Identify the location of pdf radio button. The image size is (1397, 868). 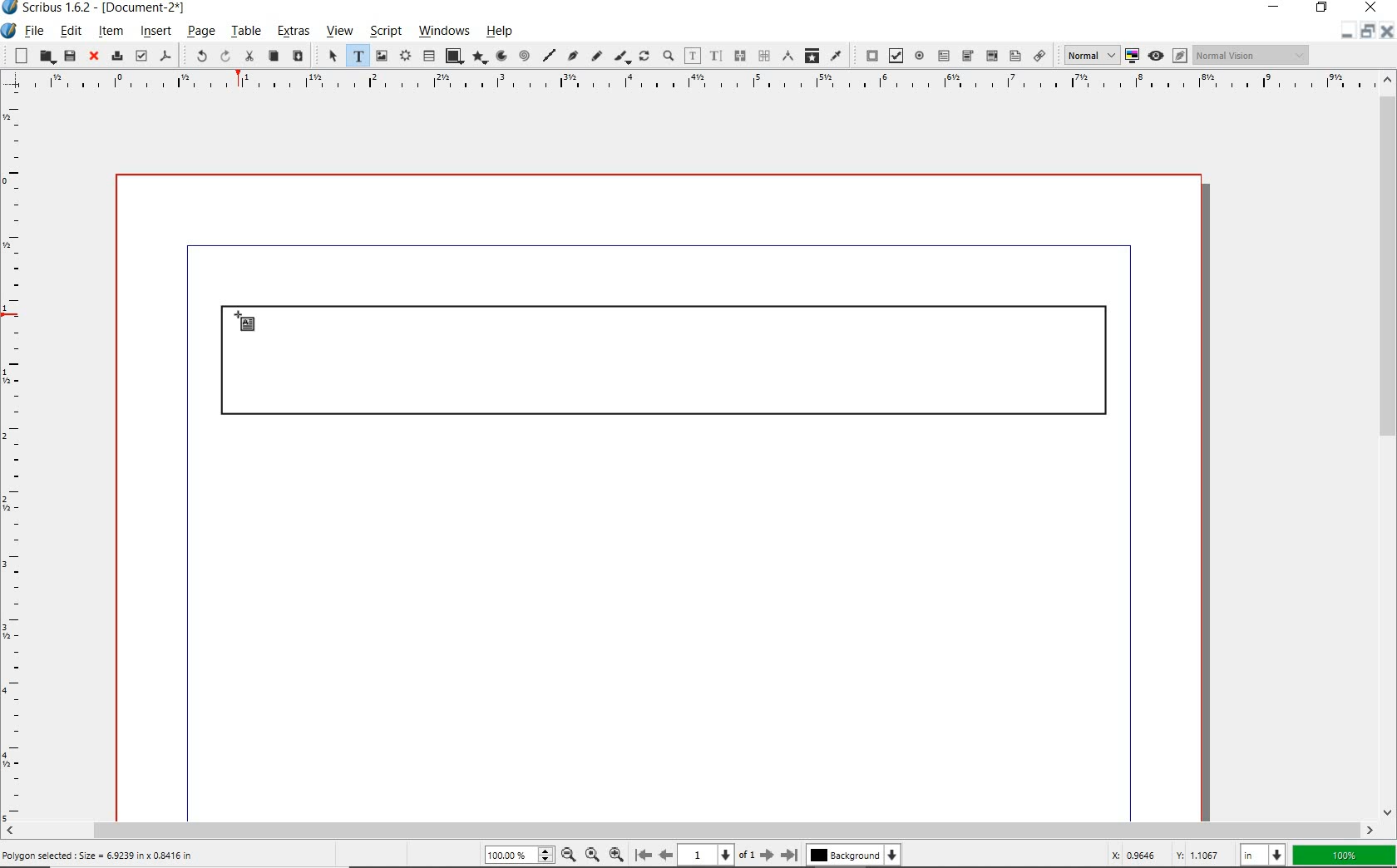
(919, 56).